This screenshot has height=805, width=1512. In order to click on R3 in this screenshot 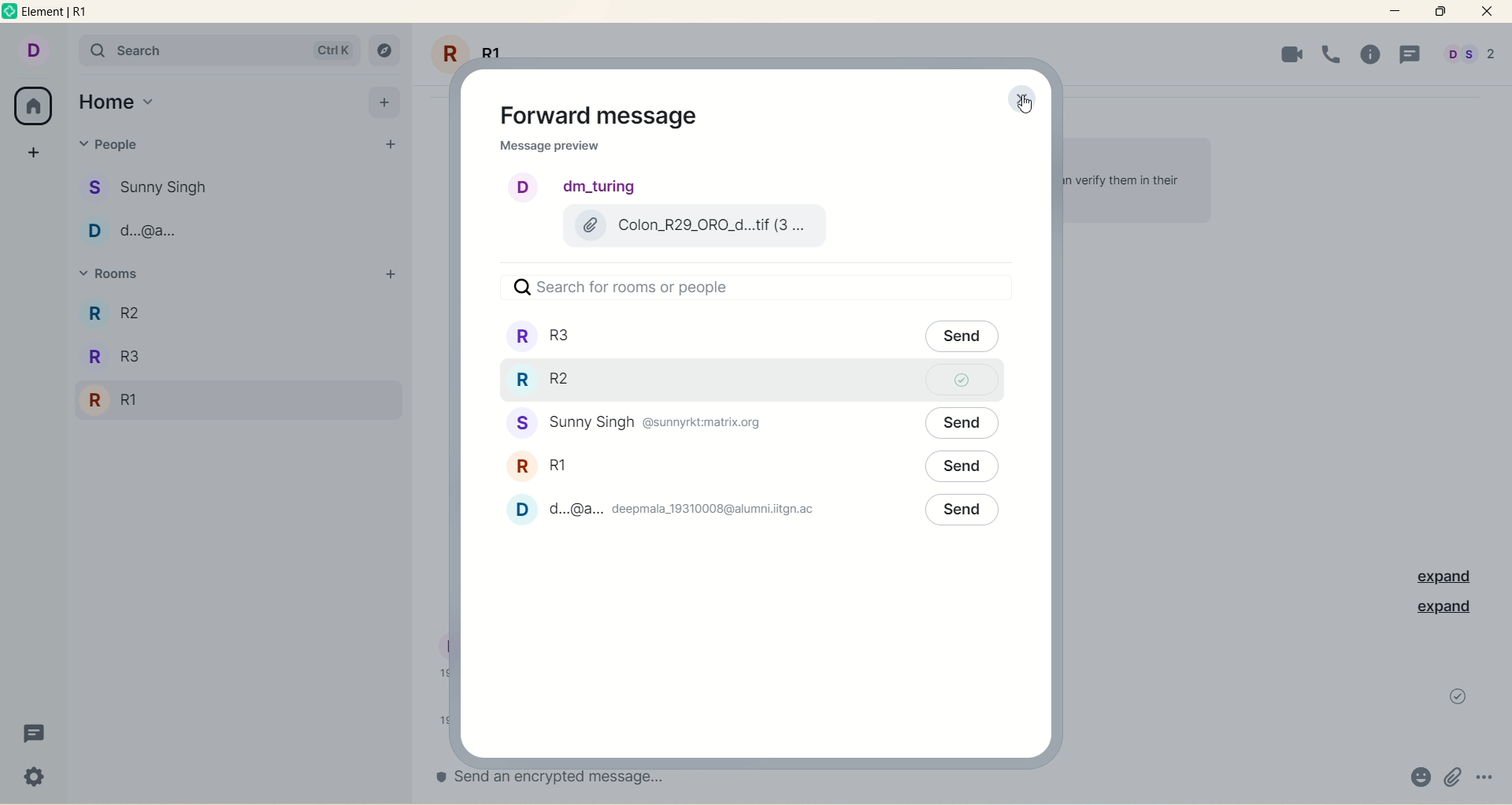, I will do `click(144, 312)`.